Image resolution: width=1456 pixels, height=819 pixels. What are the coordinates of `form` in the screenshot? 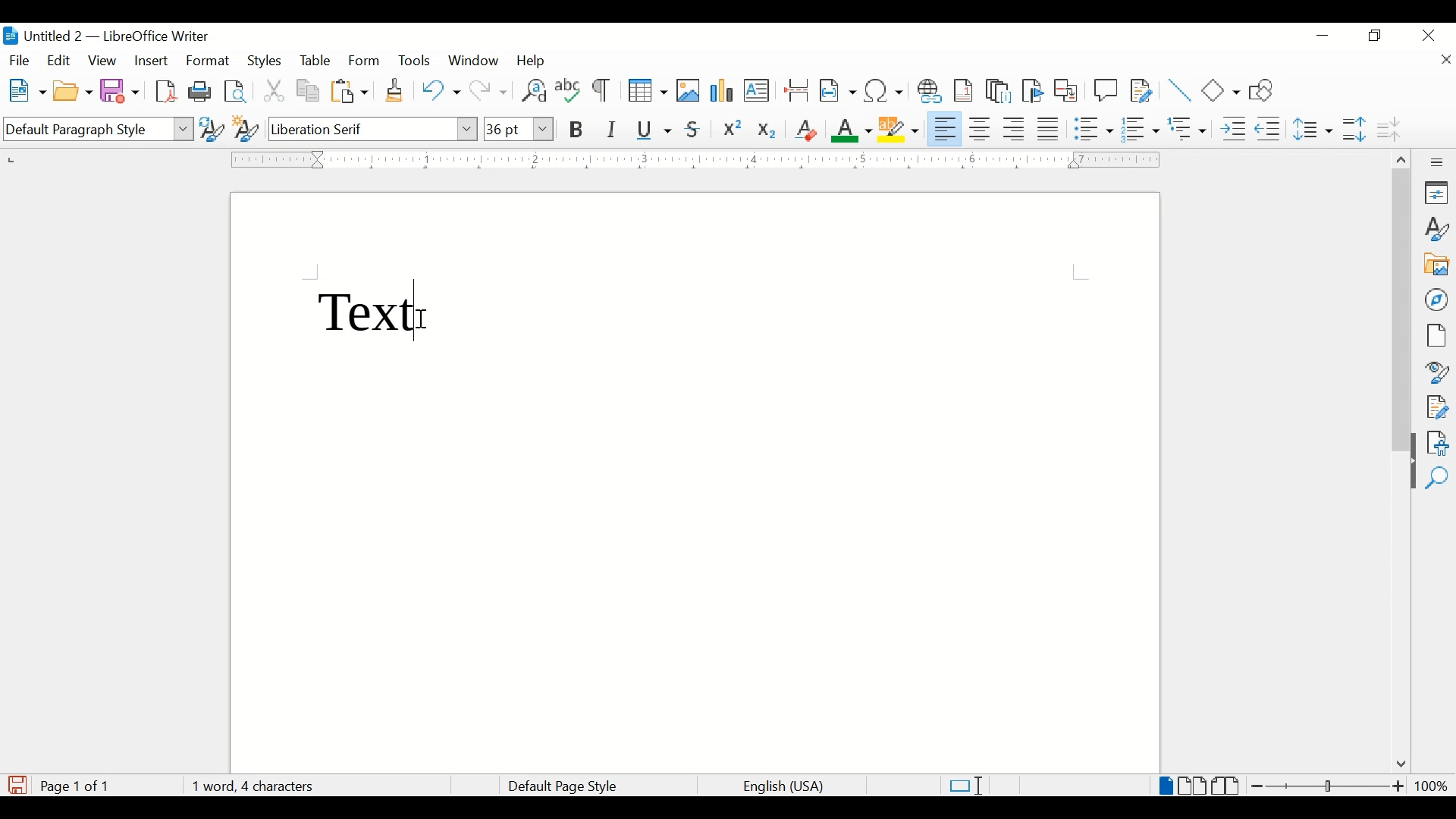 It's located at (366, 61).